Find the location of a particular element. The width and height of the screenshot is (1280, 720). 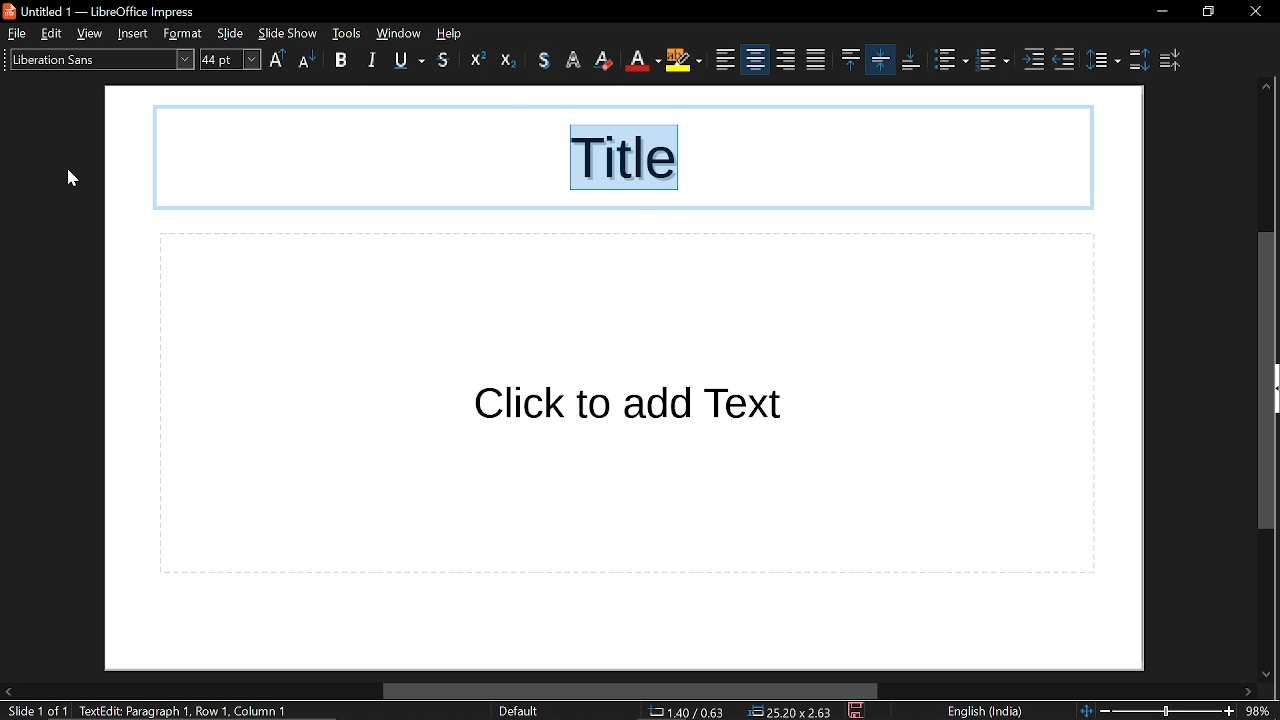

fit to page is located at coordinates (1083, 710).